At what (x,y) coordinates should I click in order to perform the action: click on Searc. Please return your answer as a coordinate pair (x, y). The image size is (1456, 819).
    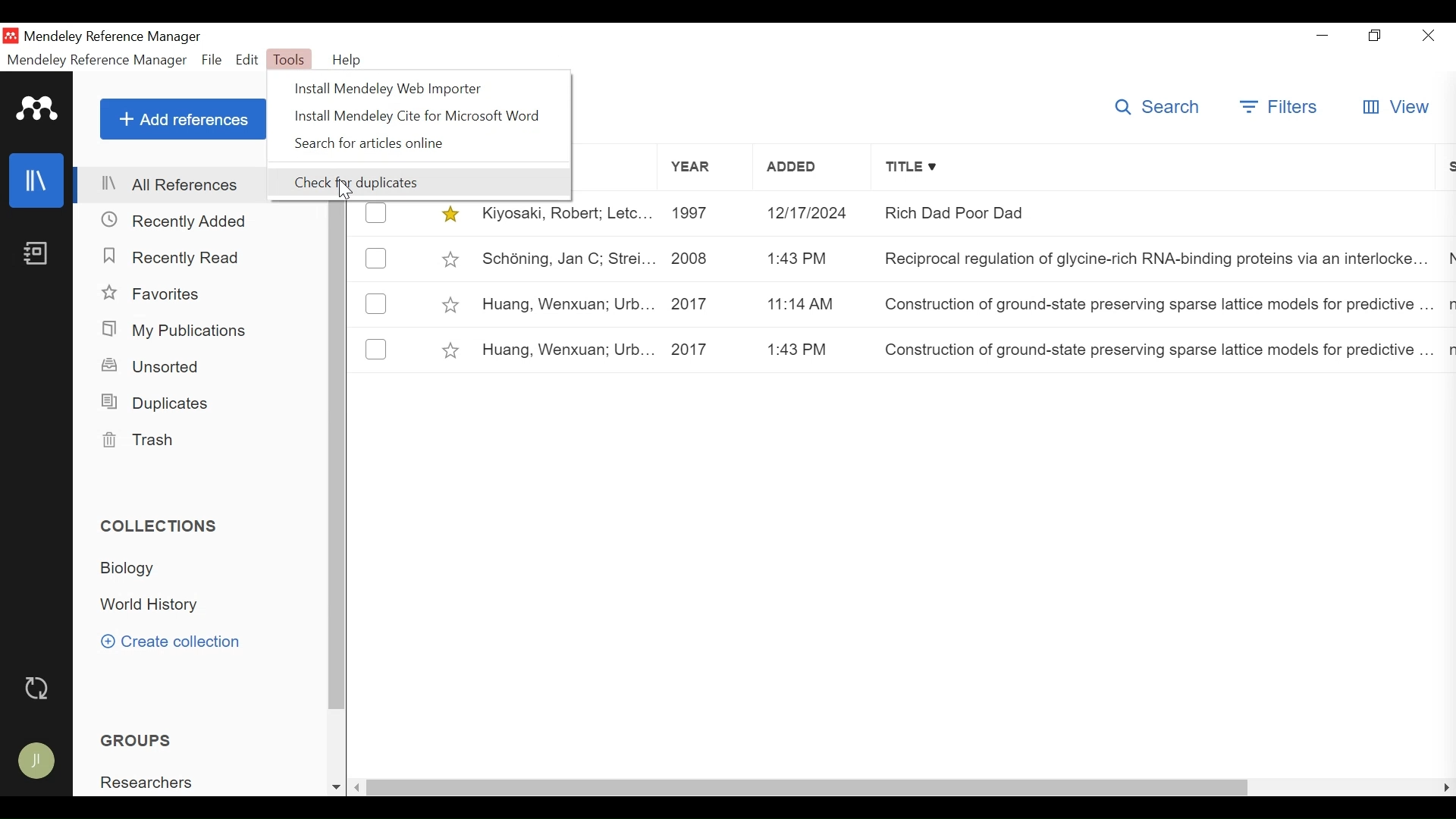
    Looking at the image, I should click on (1163, 108).